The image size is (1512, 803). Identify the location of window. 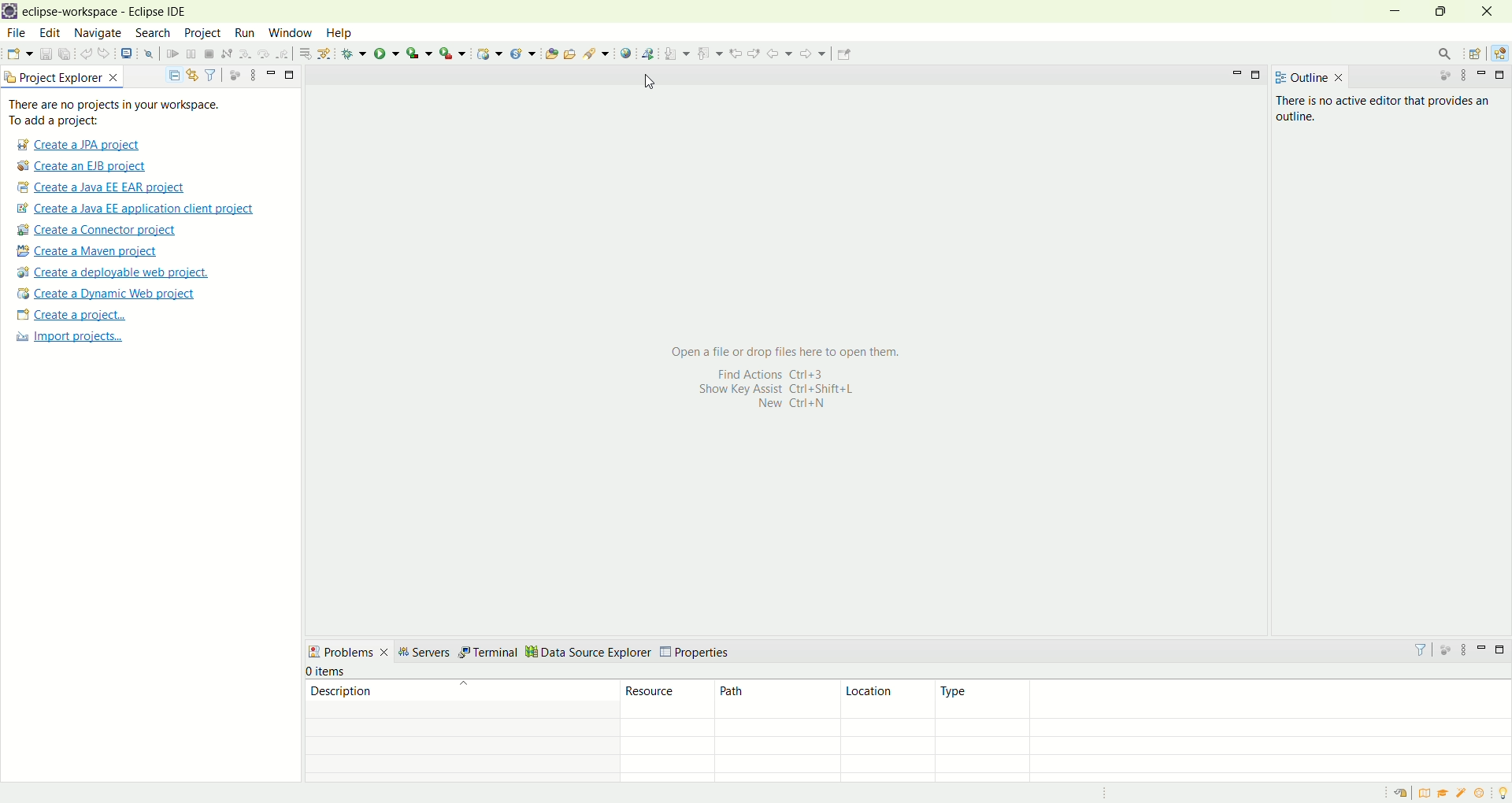
(294, 32).